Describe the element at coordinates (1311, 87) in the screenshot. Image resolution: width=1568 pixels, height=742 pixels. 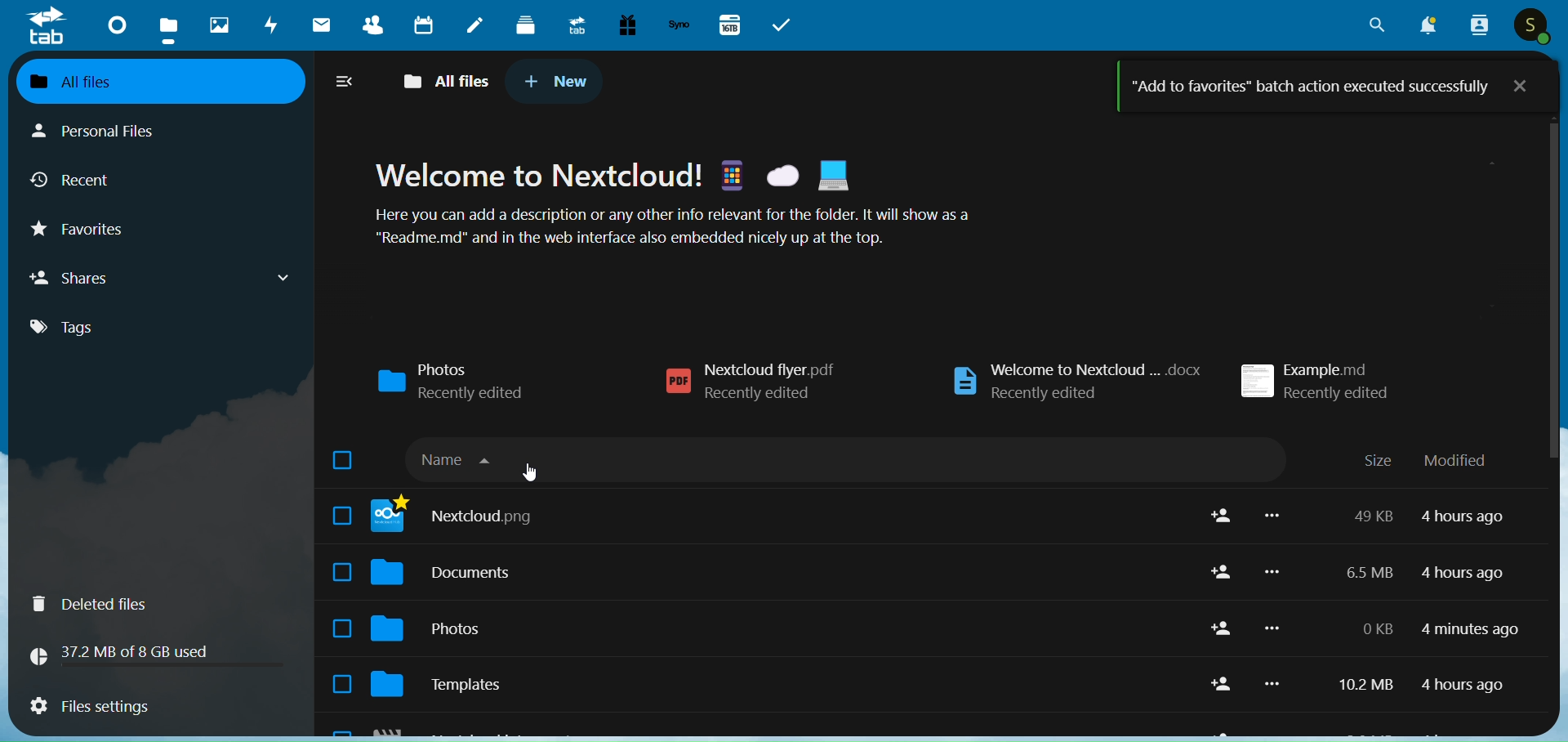
I see `"Add to favorites” batch action executed successfully` at that location.